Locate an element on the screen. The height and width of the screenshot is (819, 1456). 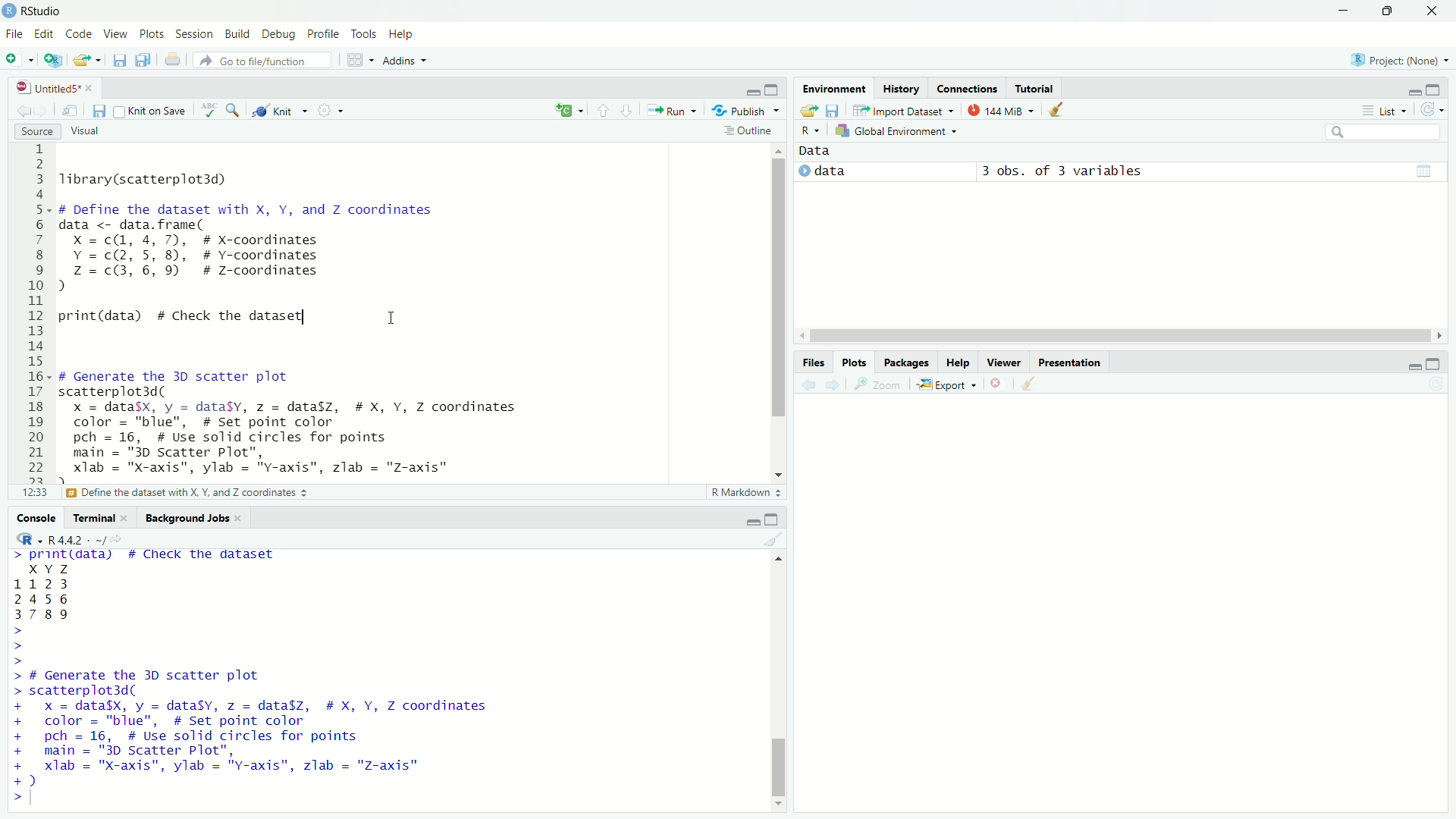
tutorial is located at coordinates (1034, 86).